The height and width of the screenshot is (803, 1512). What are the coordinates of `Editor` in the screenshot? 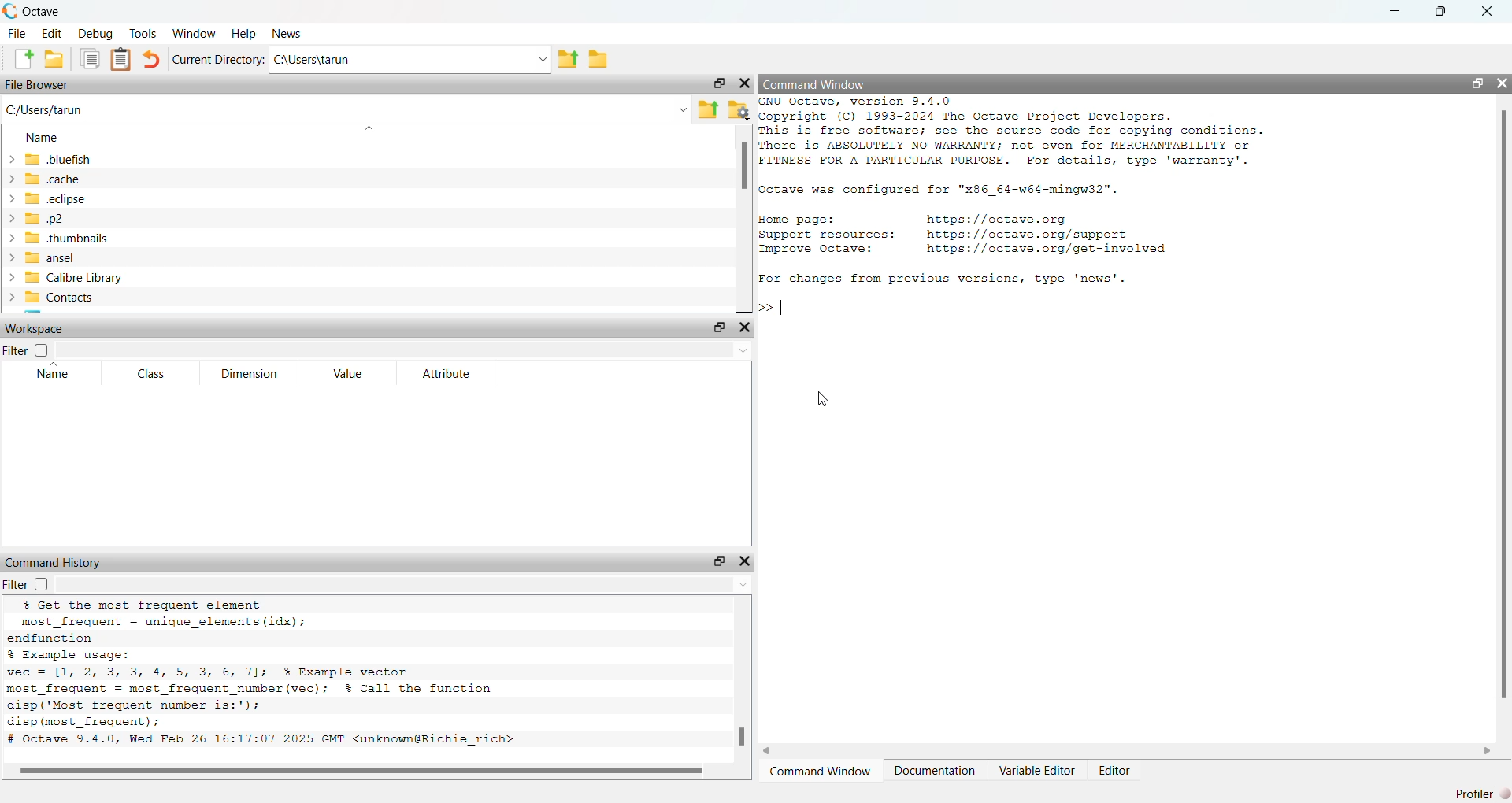 It's located at (1114, 771).